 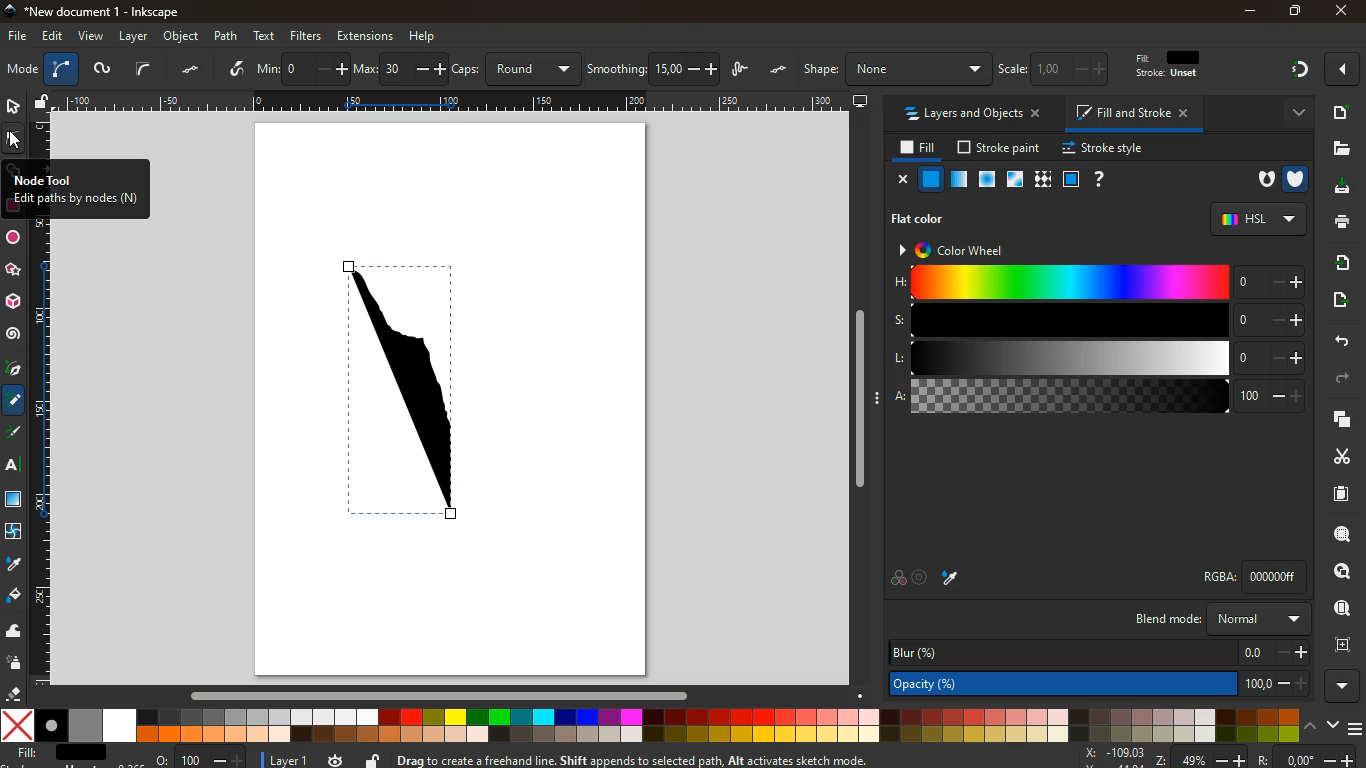 I want to click on layer, so click(x=134, y=36).